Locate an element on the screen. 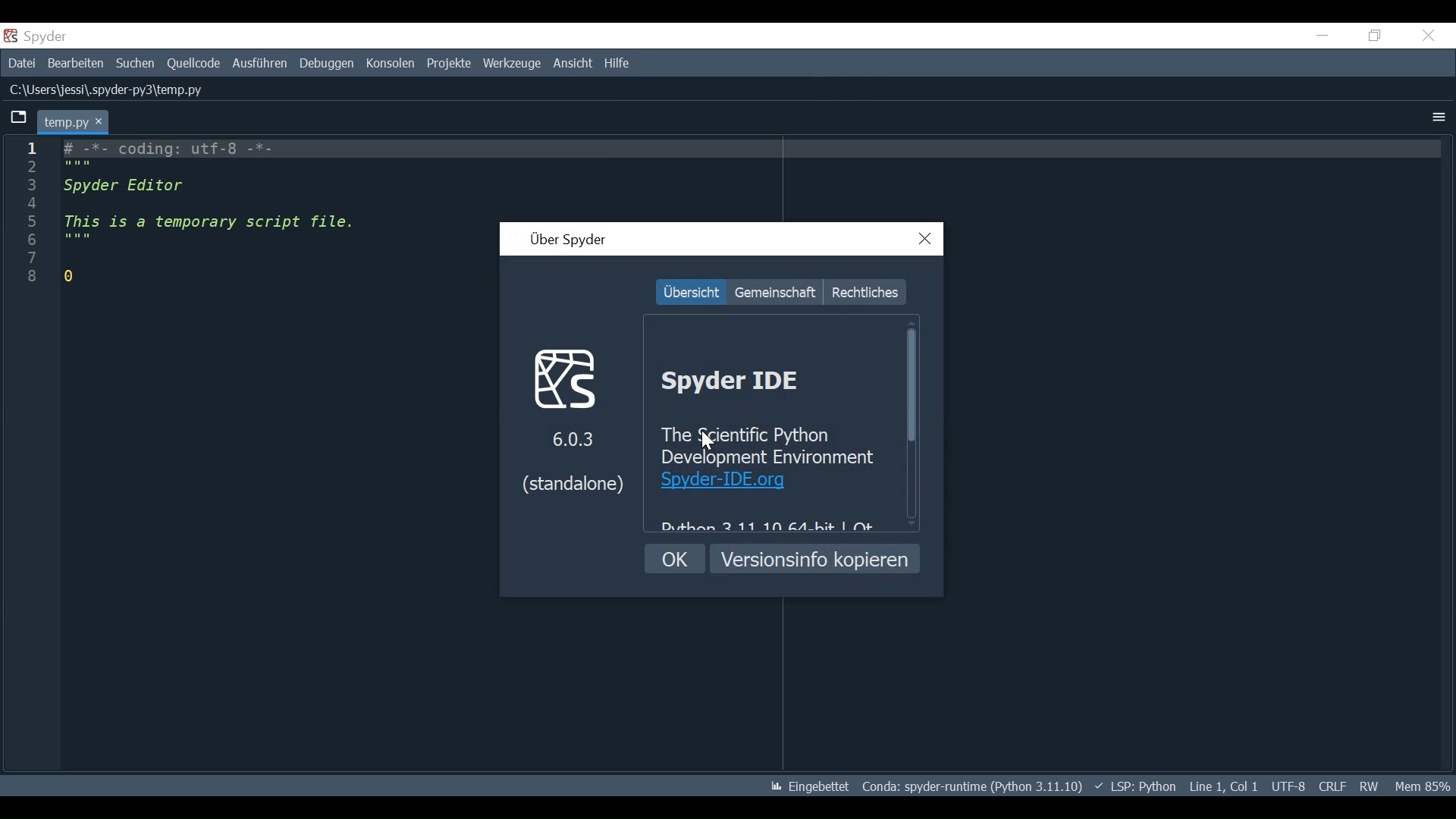 The image size is (1456, 819). Edit is located at coordinates (75, 63).